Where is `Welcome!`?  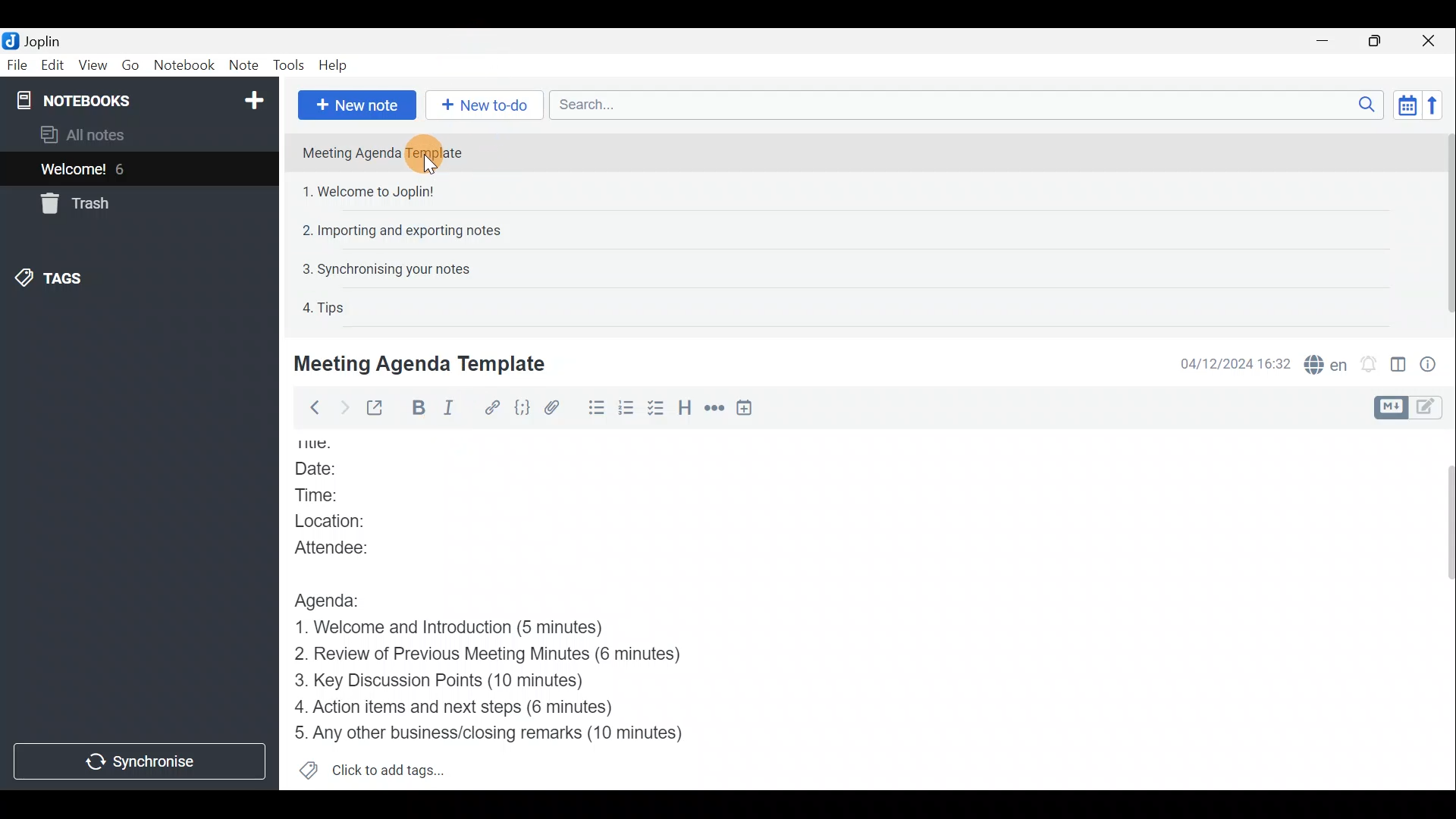 Welcome! is located at coordinates (74, 171).